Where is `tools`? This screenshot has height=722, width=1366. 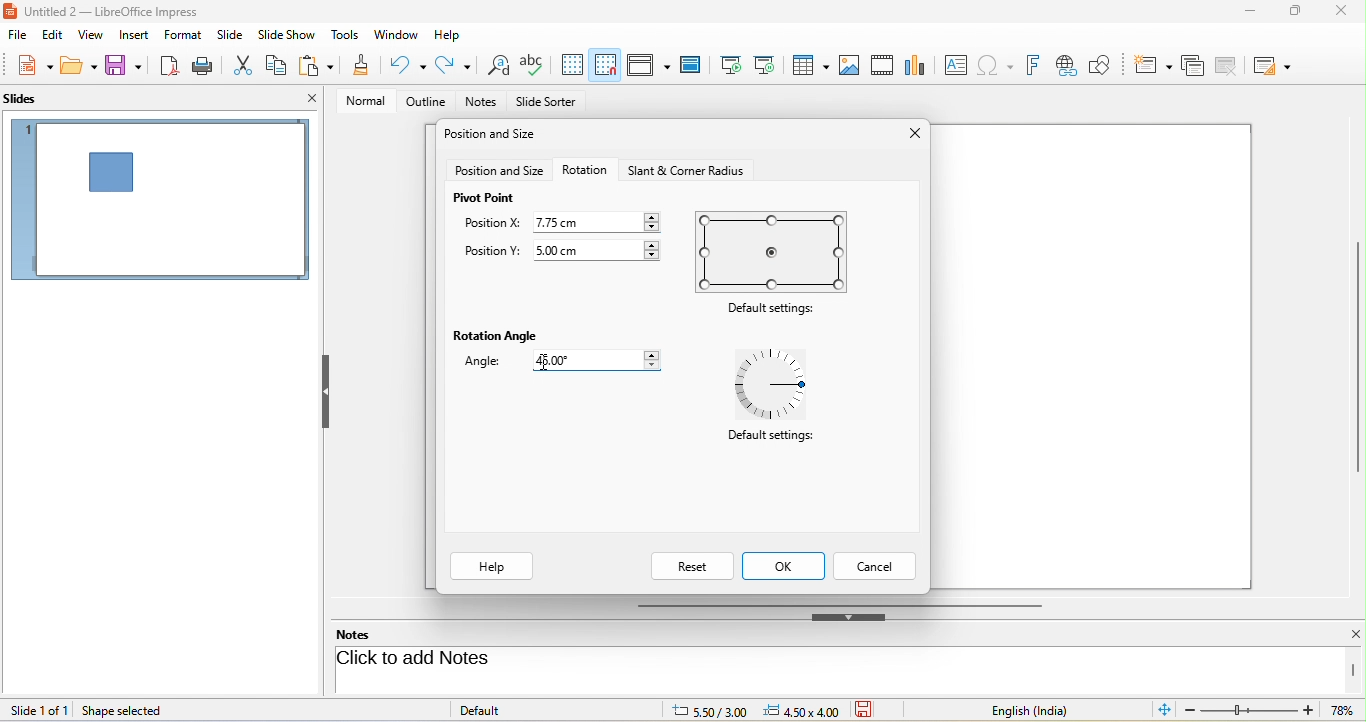 tools is located at coordinates (346, 36).